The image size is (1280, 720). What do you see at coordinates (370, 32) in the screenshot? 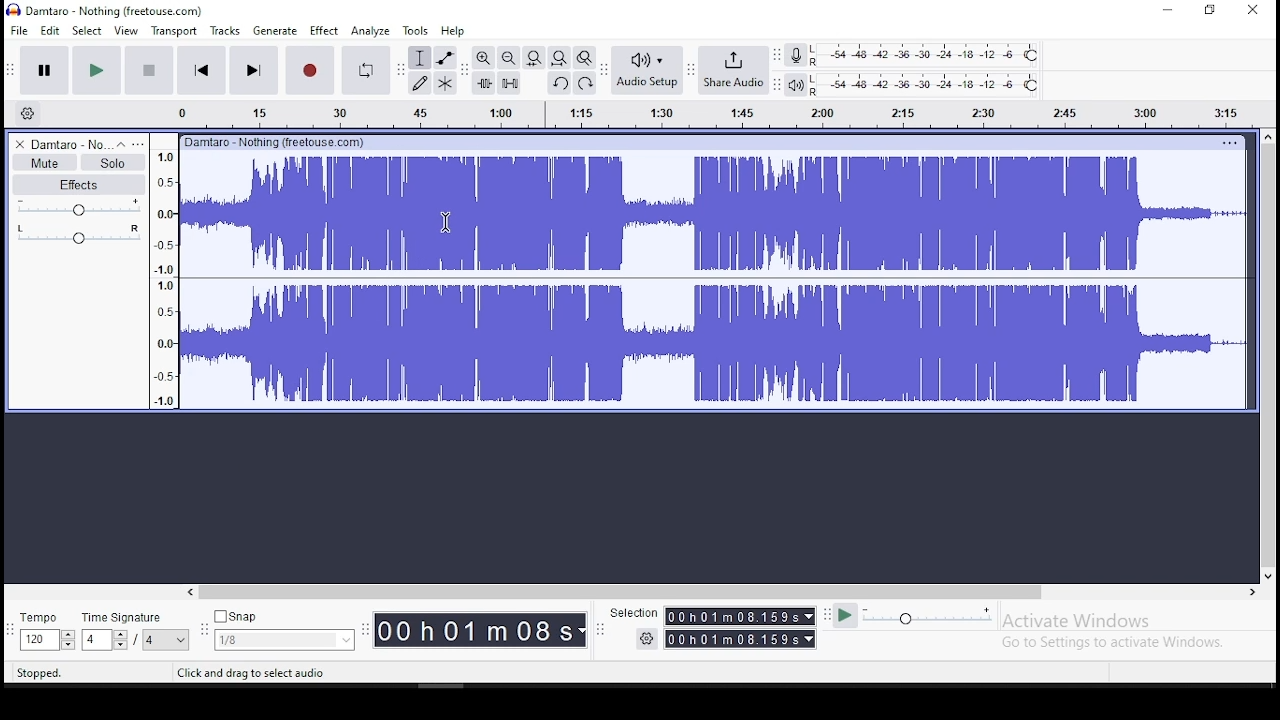
I see `analyze` at bounding box center [370, 32].